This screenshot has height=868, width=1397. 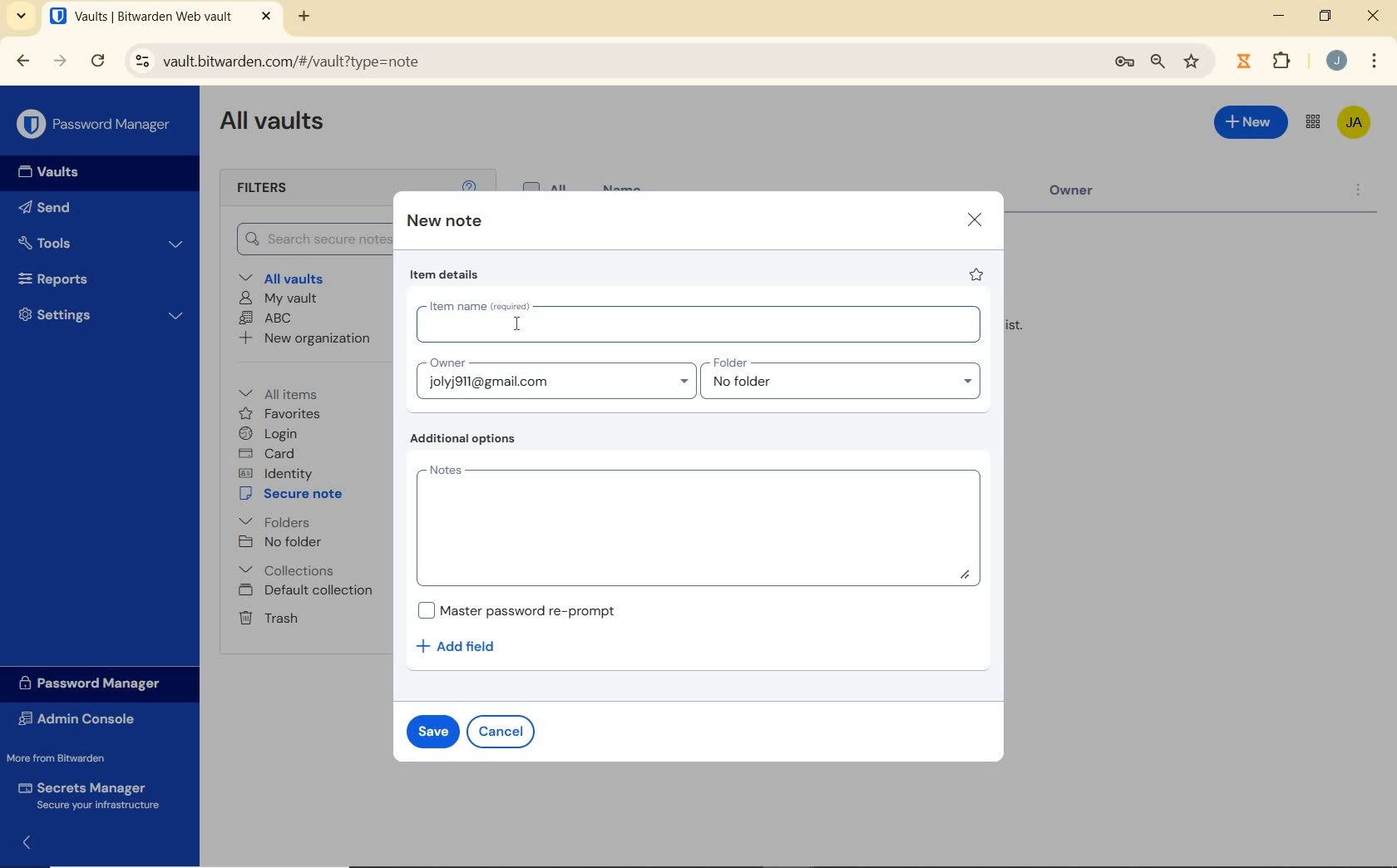 I want to click on extensions, so click(x=1242, y=62).